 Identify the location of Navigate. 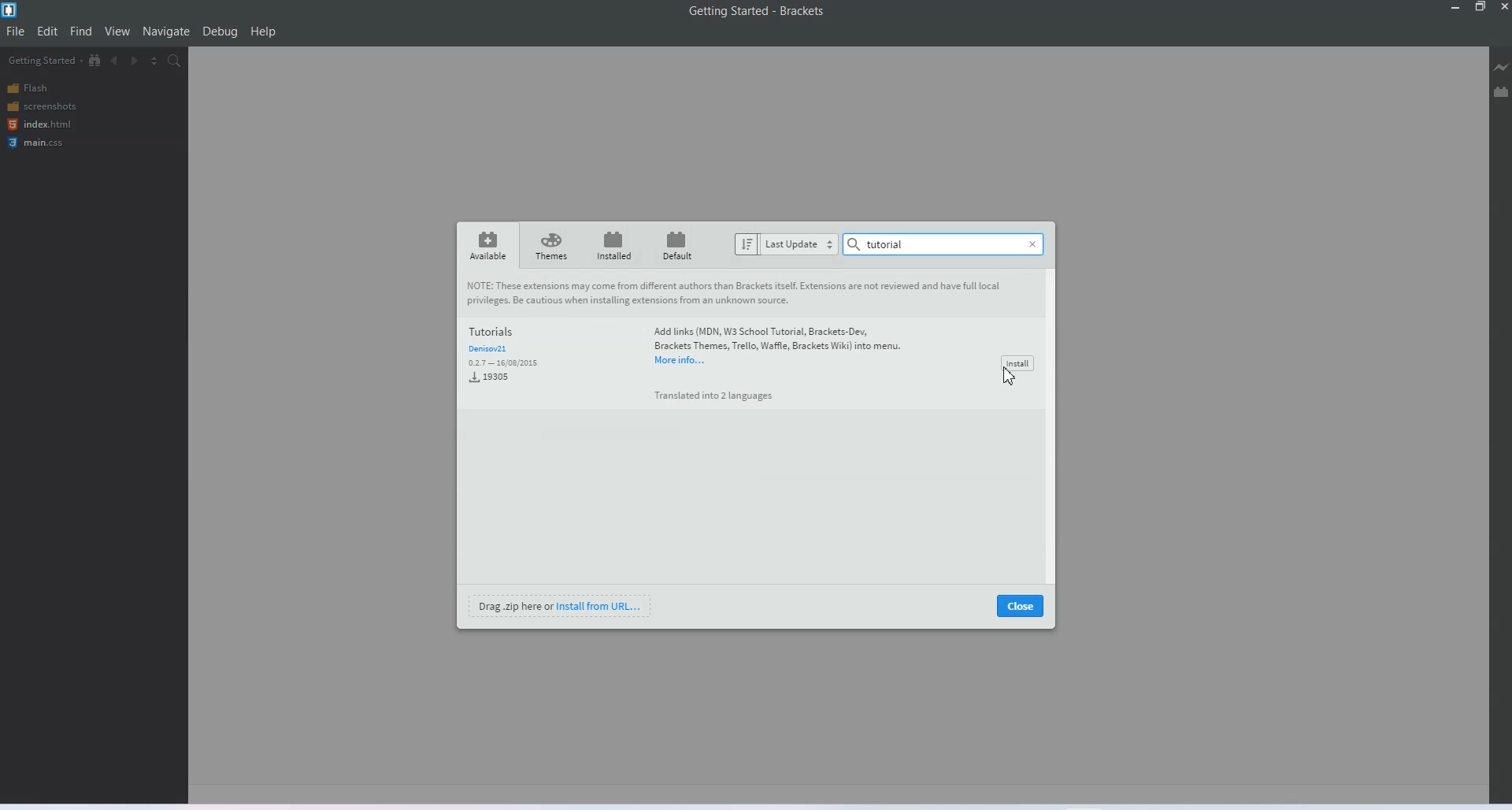
(167, 32).